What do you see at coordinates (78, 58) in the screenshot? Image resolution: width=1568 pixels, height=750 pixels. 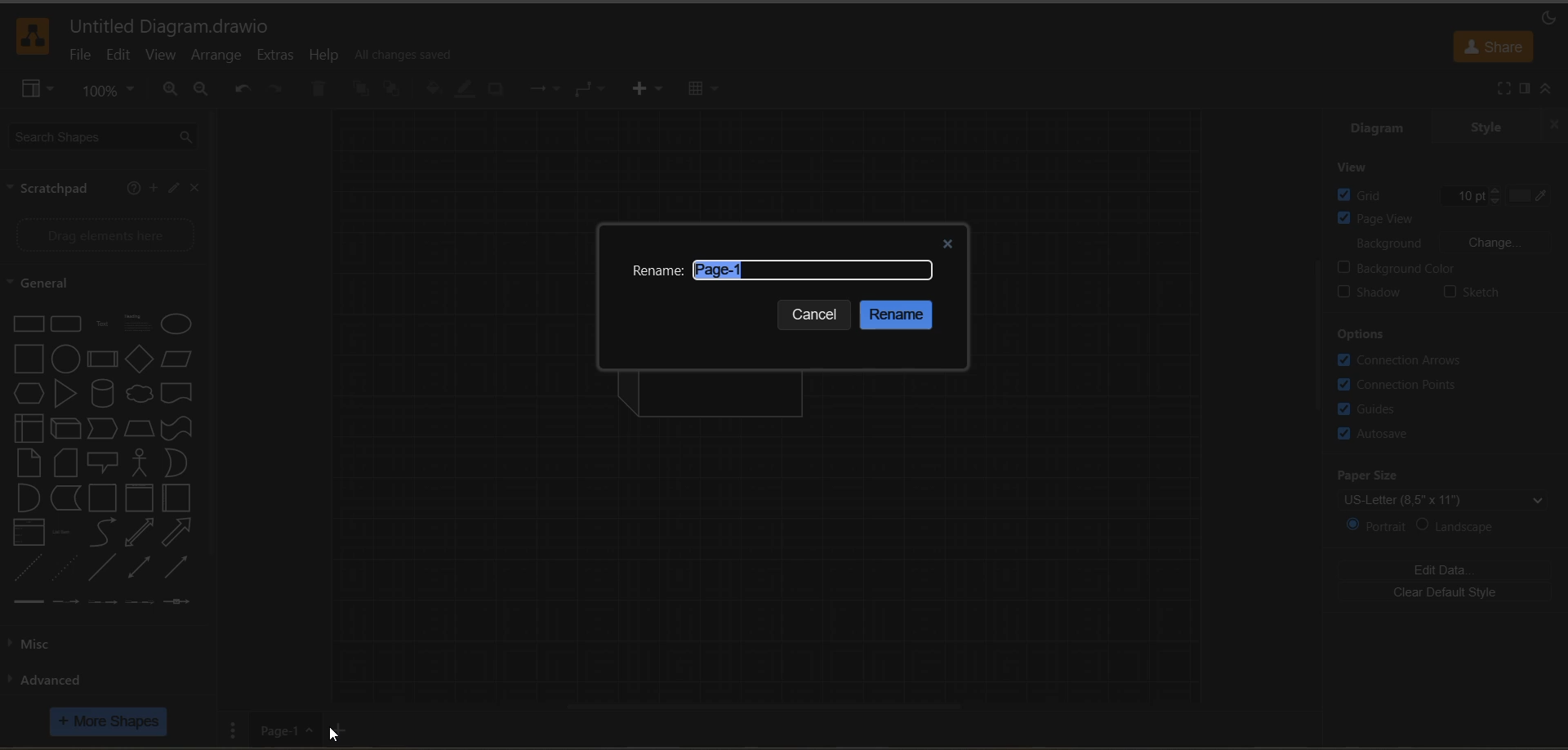 I see `file` at bounding box center [78, 58].